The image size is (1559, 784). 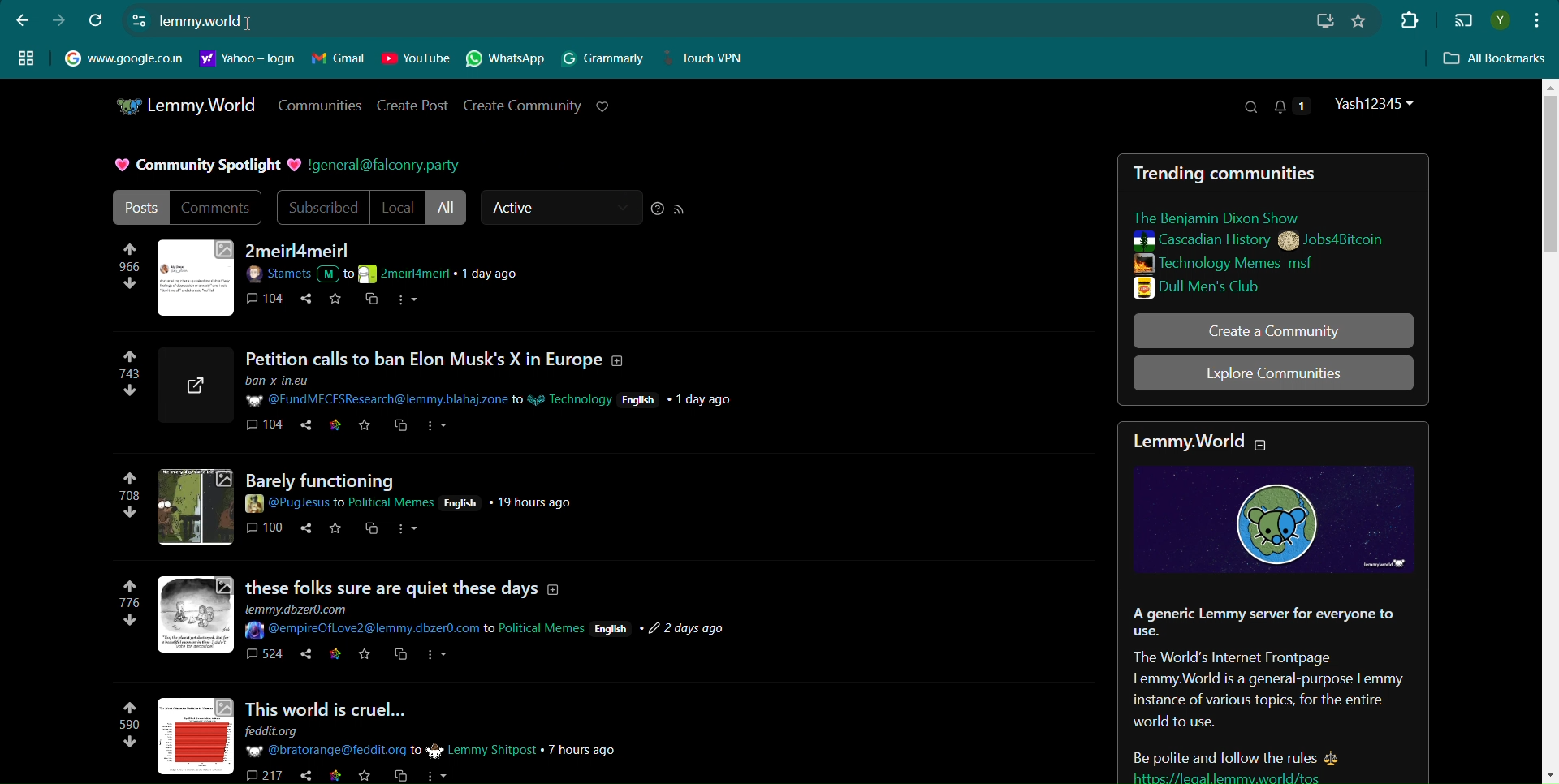 I want to click on Home Page, so click(x=184, y=106).